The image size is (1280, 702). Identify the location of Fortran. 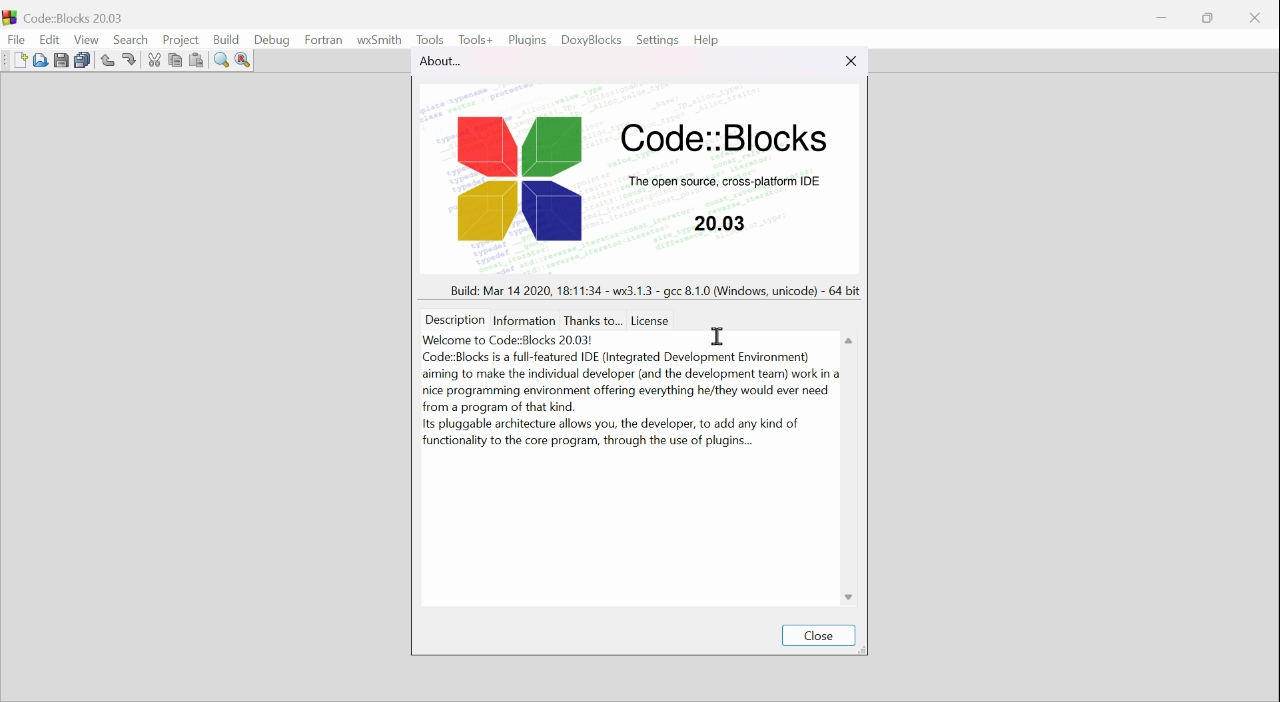
(326, 40).